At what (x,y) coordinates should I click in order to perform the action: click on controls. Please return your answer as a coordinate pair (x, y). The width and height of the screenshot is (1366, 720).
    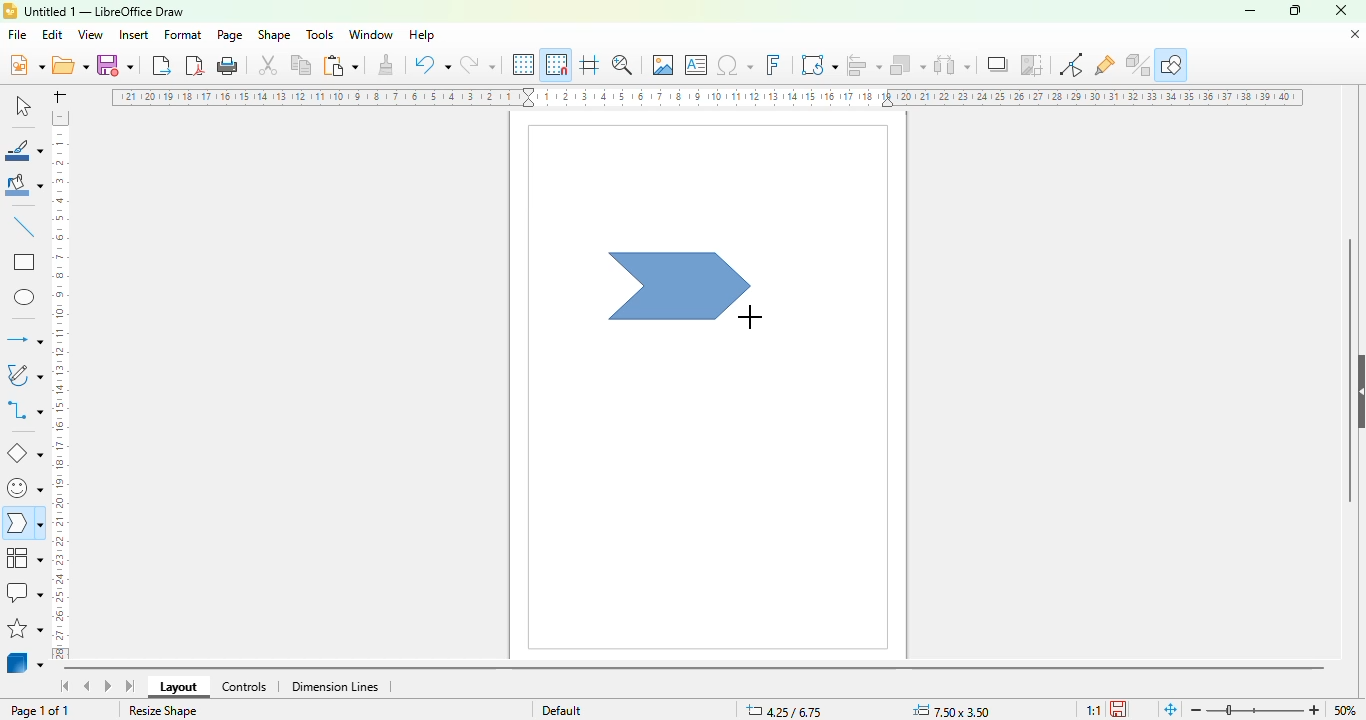
    Looking at the image, I should click on (244, 687).